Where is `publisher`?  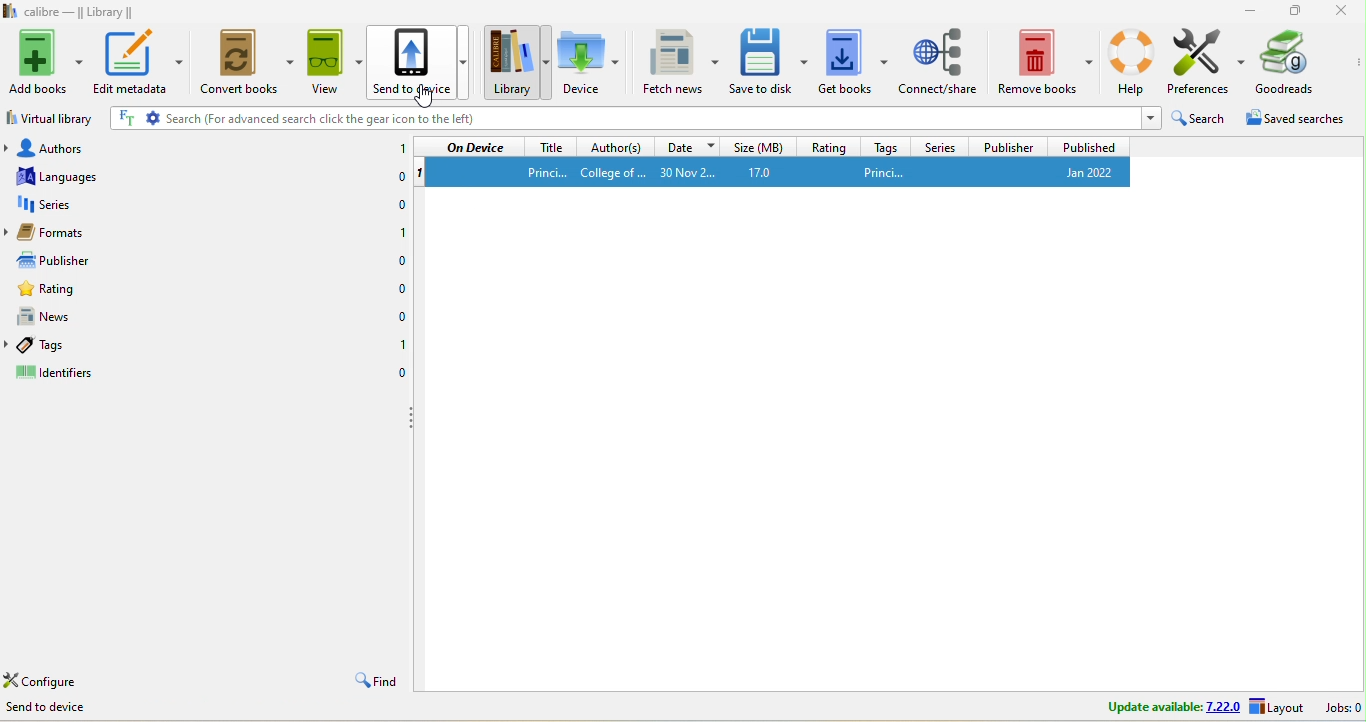 publisher is located at coordinates (155, 260).